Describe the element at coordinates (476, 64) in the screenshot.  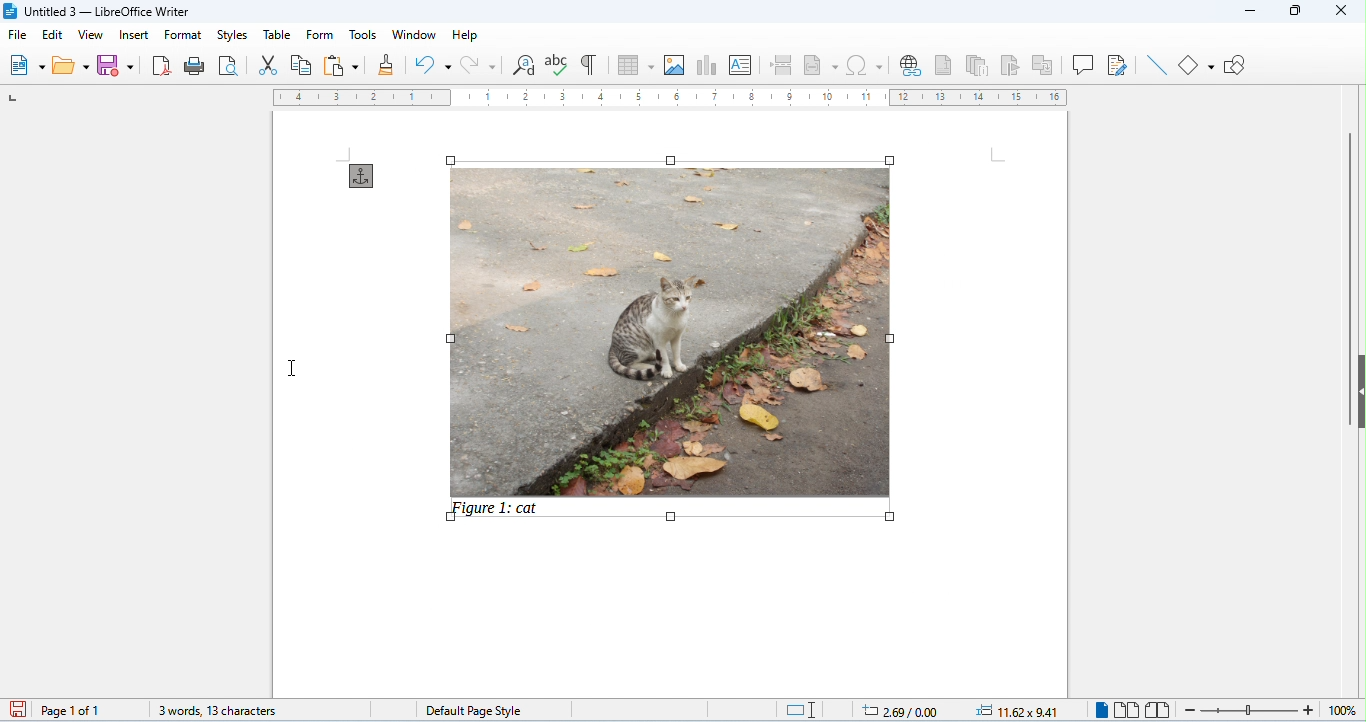
I see `redo` at that location.